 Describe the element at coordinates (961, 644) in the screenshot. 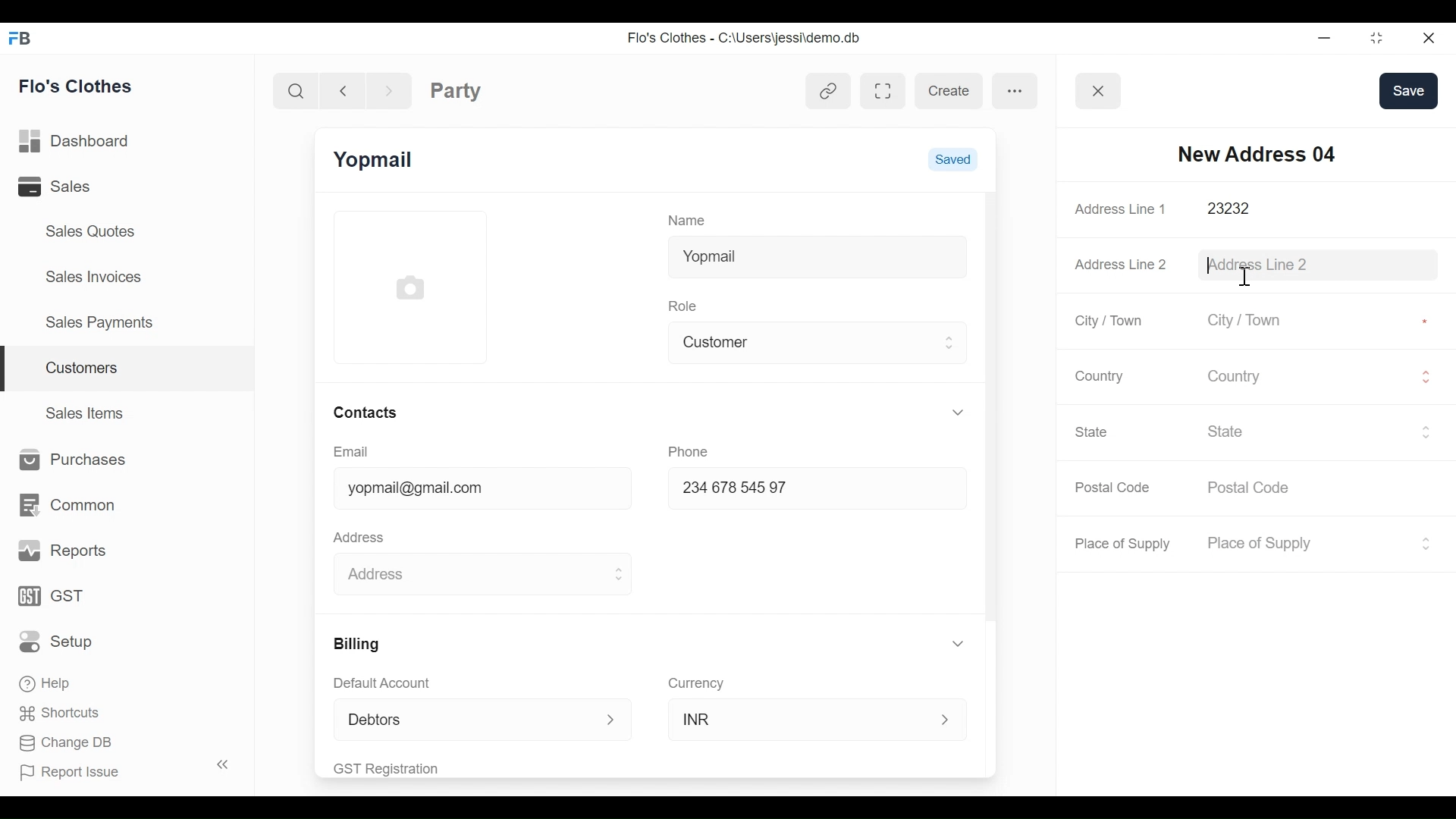

I see `Expand` at that location.